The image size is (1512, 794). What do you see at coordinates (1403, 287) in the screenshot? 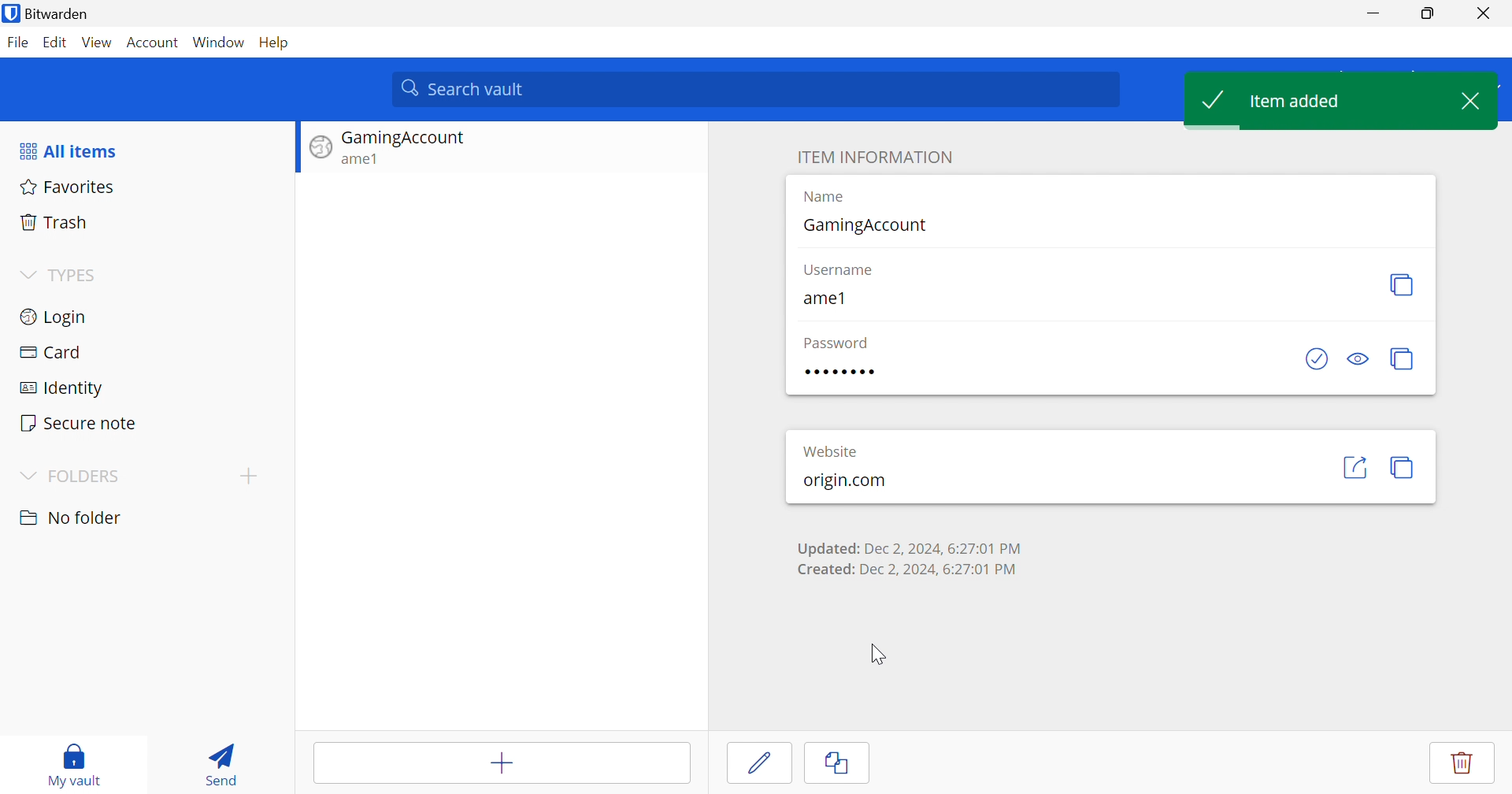
I see `Copy username` at bounding box center [1403, 287].